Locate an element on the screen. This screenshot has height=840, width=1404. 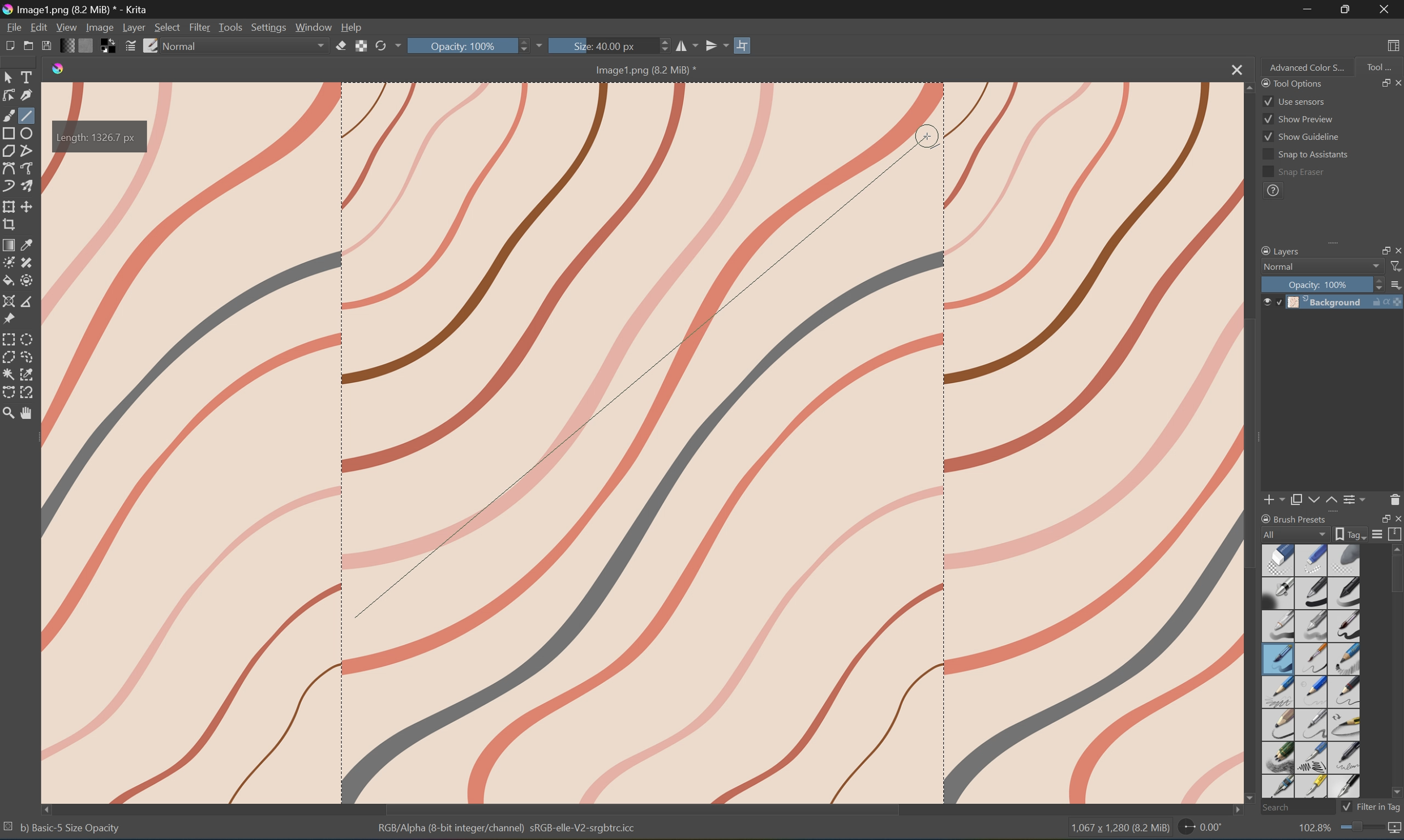
Fill gradients is located at coordinates (70, 46).